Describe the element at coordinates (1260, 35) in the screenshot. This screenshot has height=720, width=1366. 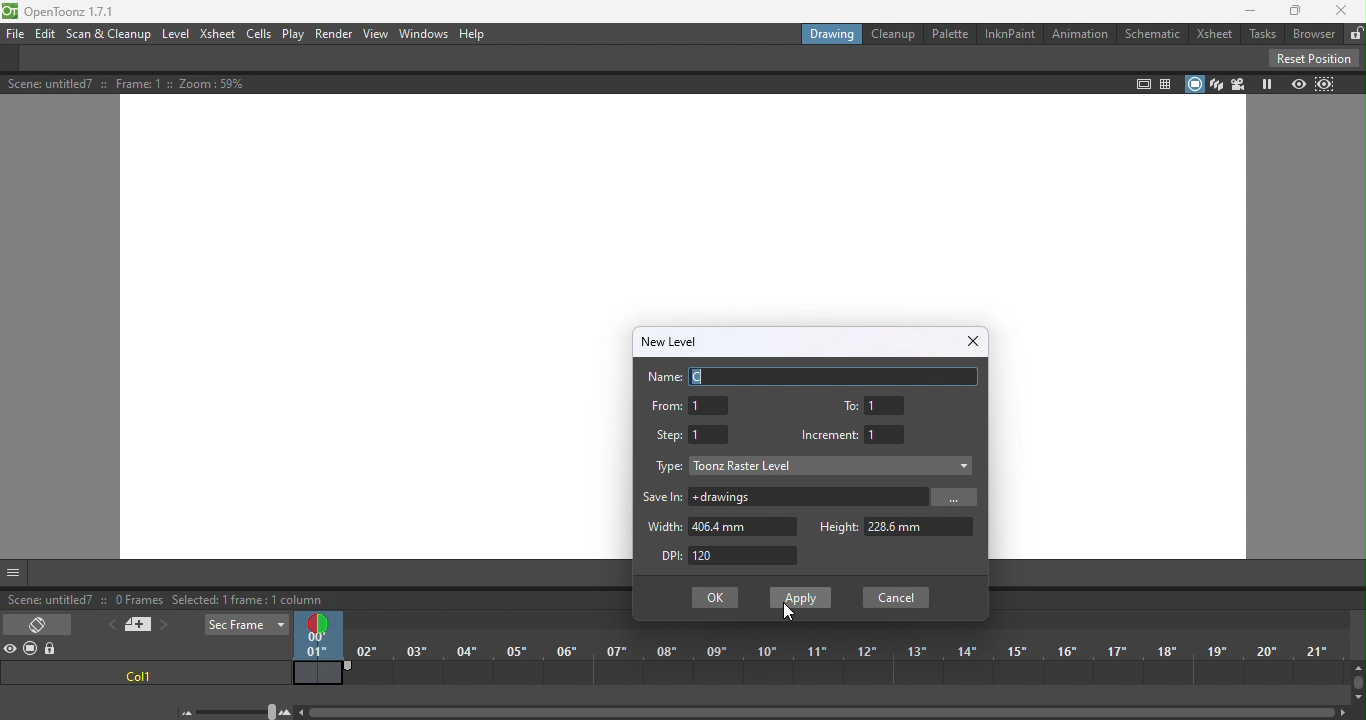
I see `Tasks` at that location.